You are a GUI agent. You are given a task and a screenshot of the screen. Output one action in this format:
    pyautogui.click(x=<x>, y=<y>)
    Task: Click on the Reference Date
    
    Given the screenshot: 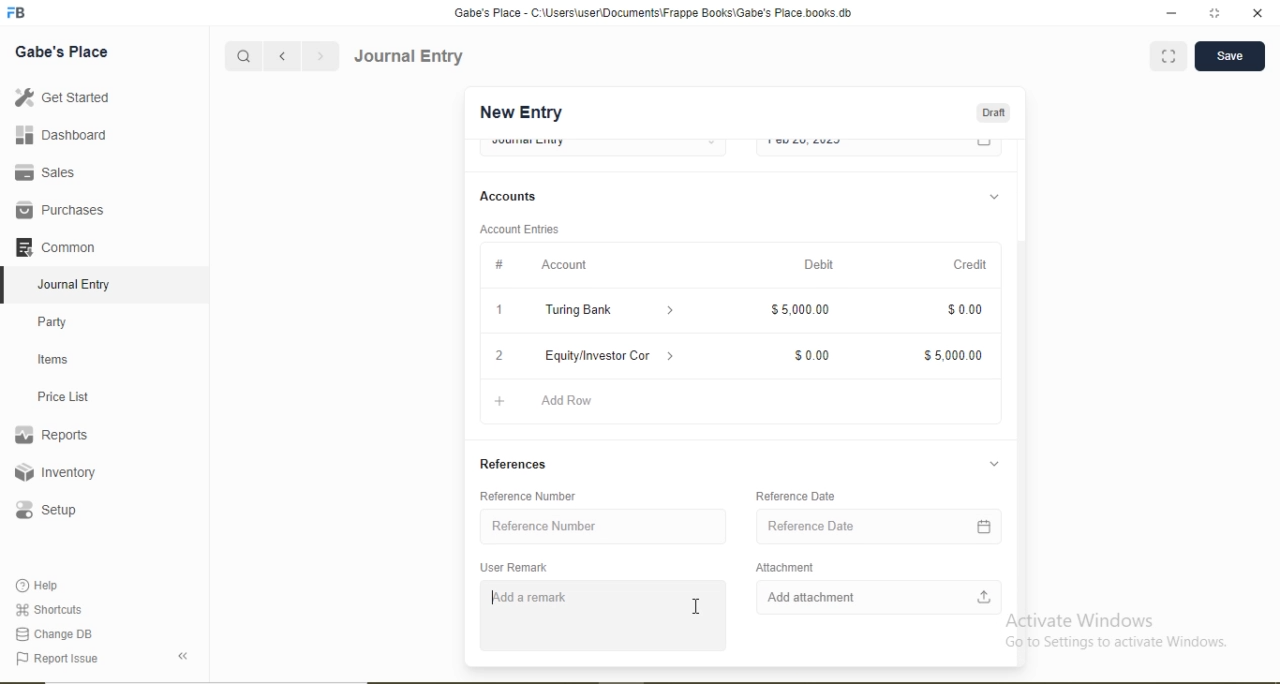 What is the action you would take?
    pyautogui.click(x=795, y=496)
    